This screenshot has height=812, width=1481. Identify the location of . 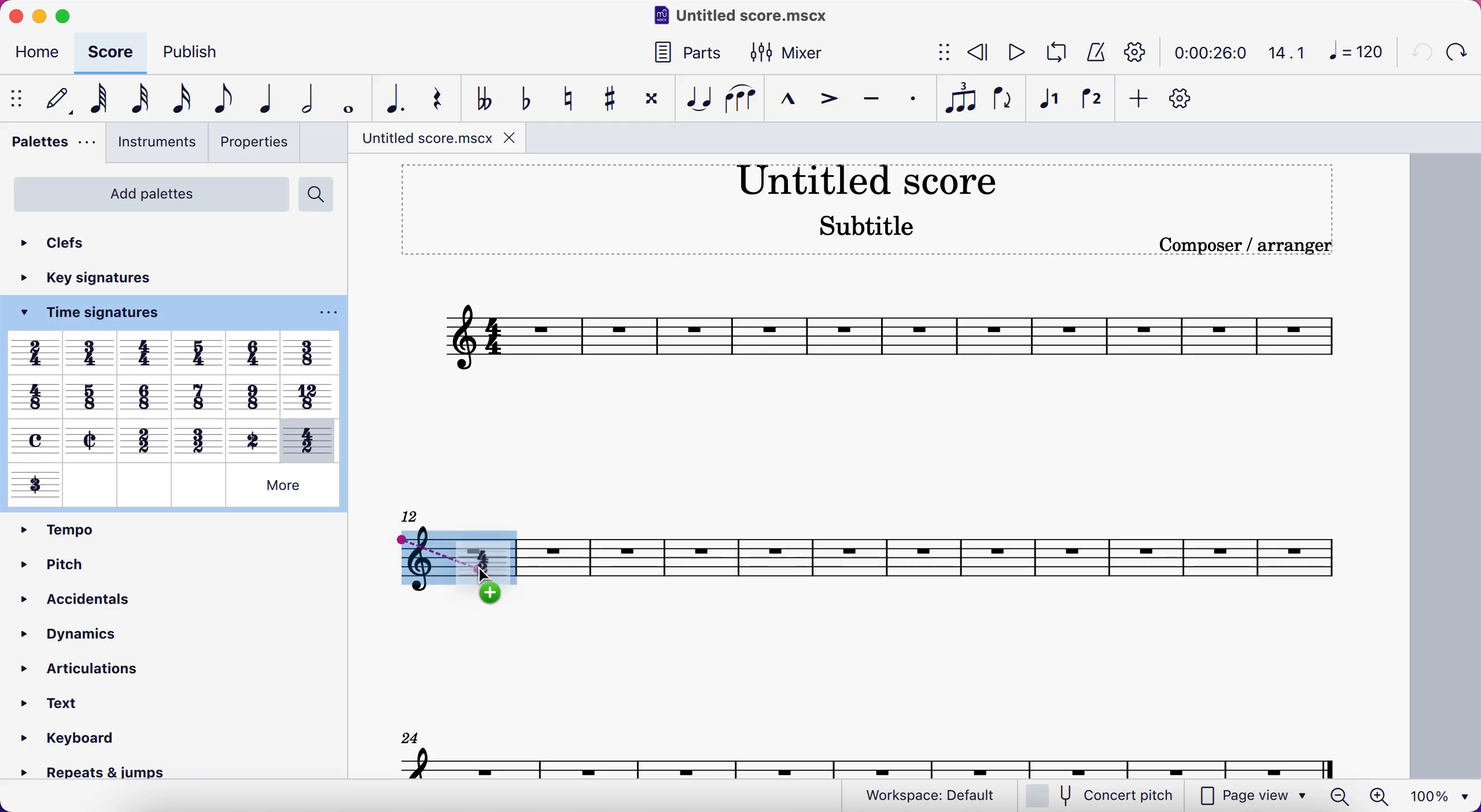
(92, 440).